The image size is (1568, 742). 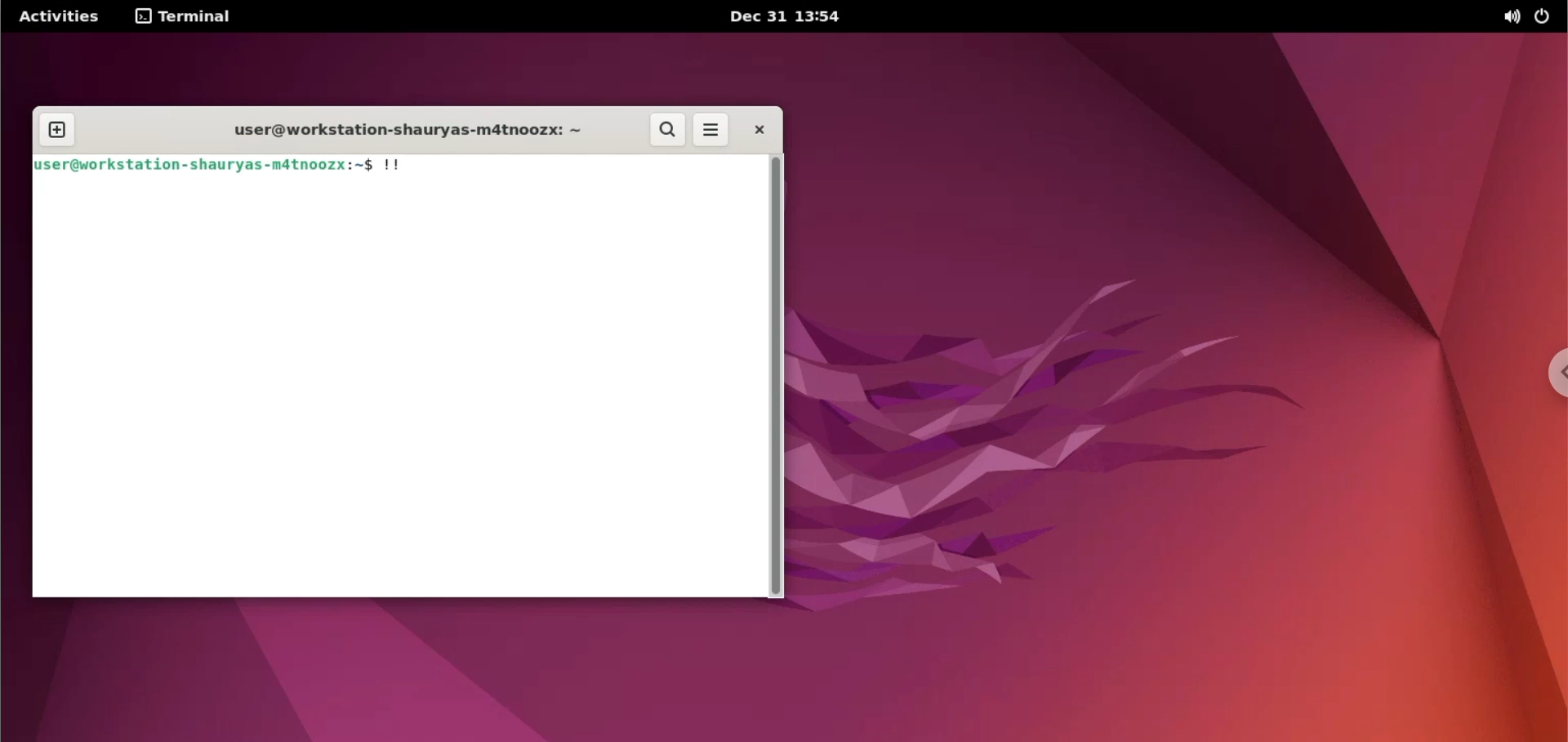 What do you see at coordinates (1508, 17) in the screenshot?
I see `sound options` at bounding box center [1508, 17].